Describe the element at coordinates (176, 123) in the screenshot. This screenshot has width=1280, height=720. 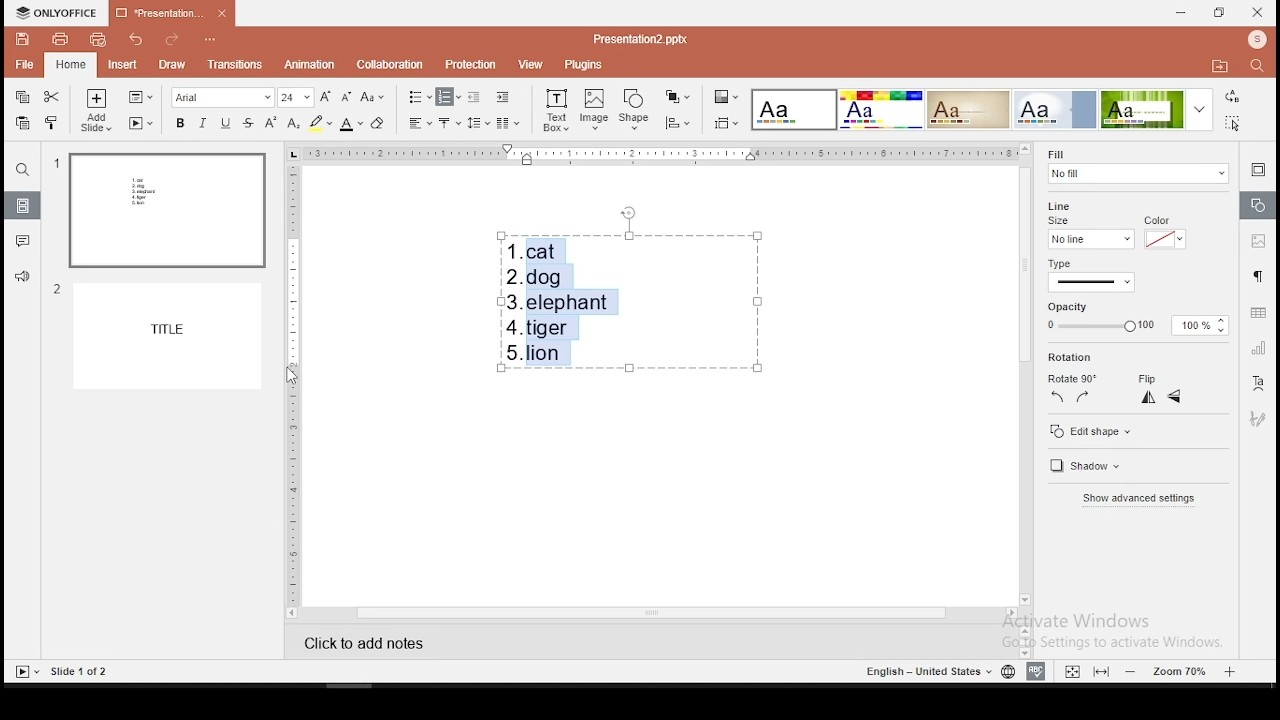
I see `bold` at that location.